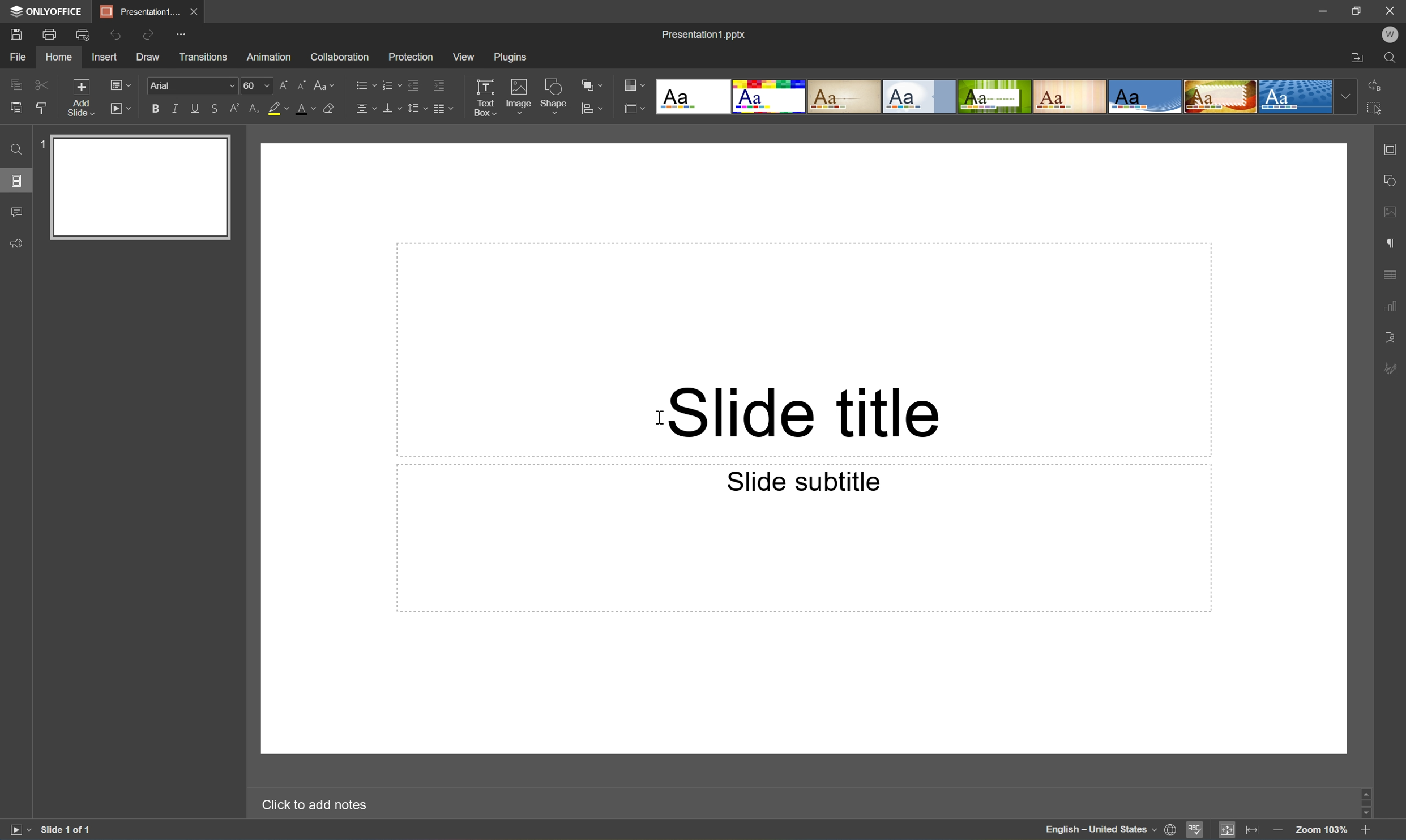 The height and width of the screenshot is (840, 1406). I want to click on Insert, so click(105, 57).